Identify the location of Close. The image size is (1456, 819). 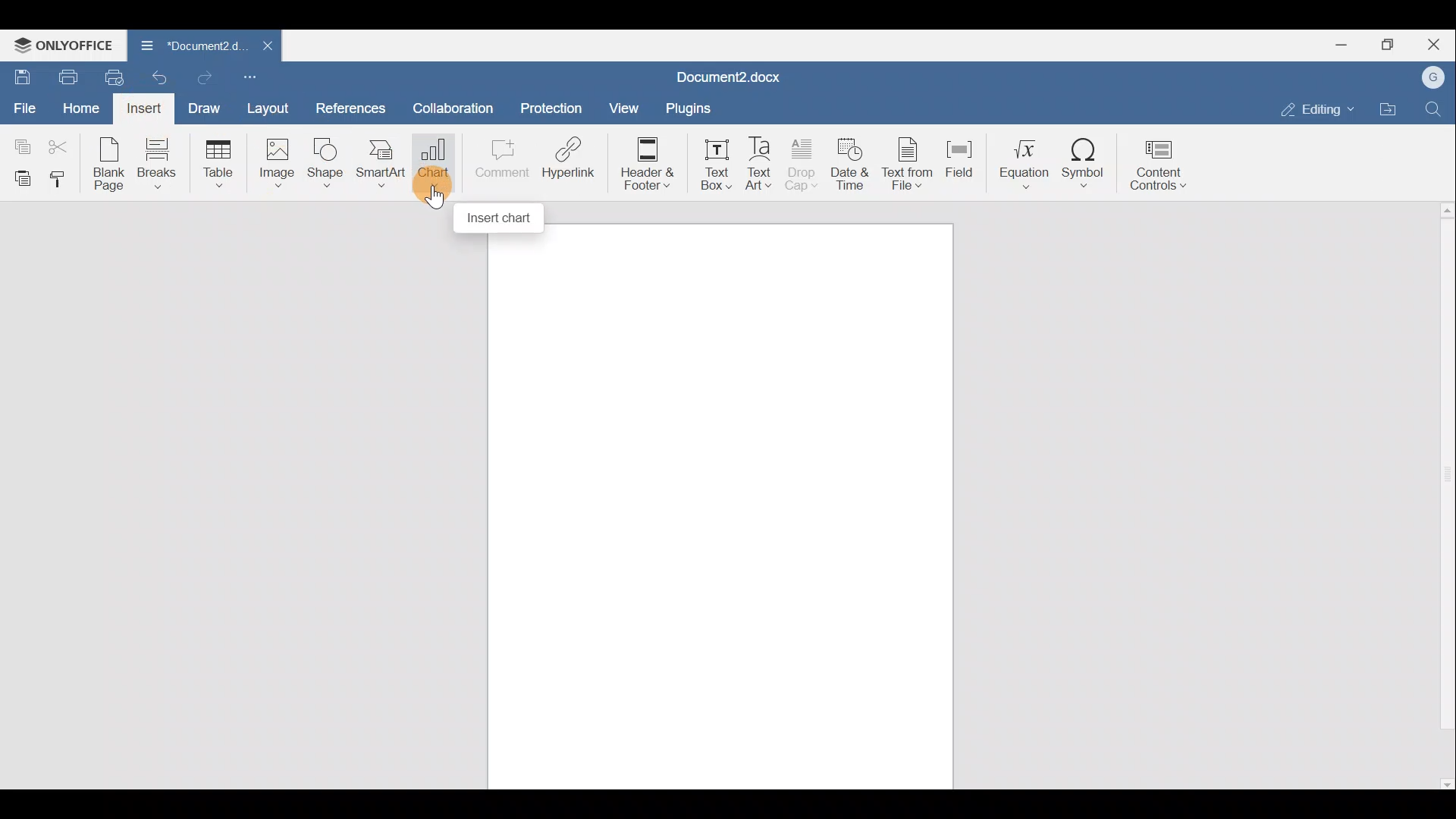
(1438, 43).